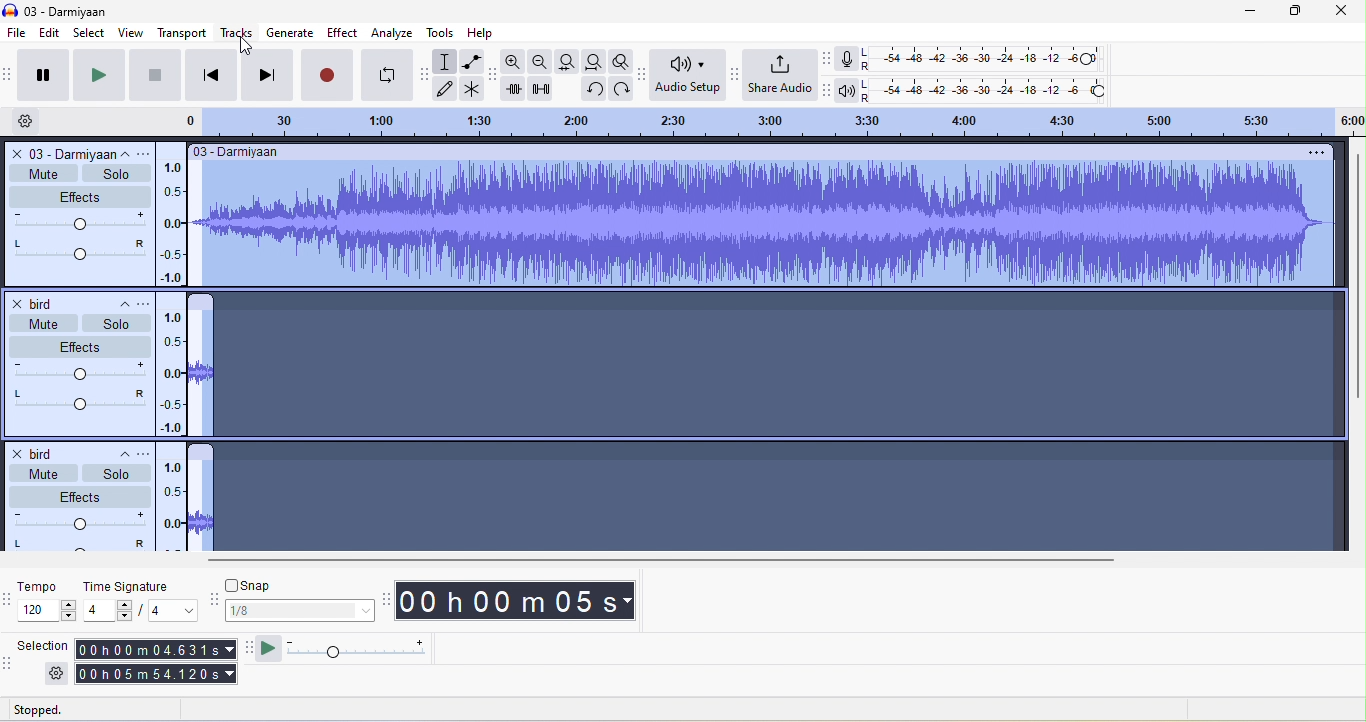  What do you see at coordinates (1355, 280) in the screenshot?
I see `vertical scroll bar` at bounding box center [1355, 280].